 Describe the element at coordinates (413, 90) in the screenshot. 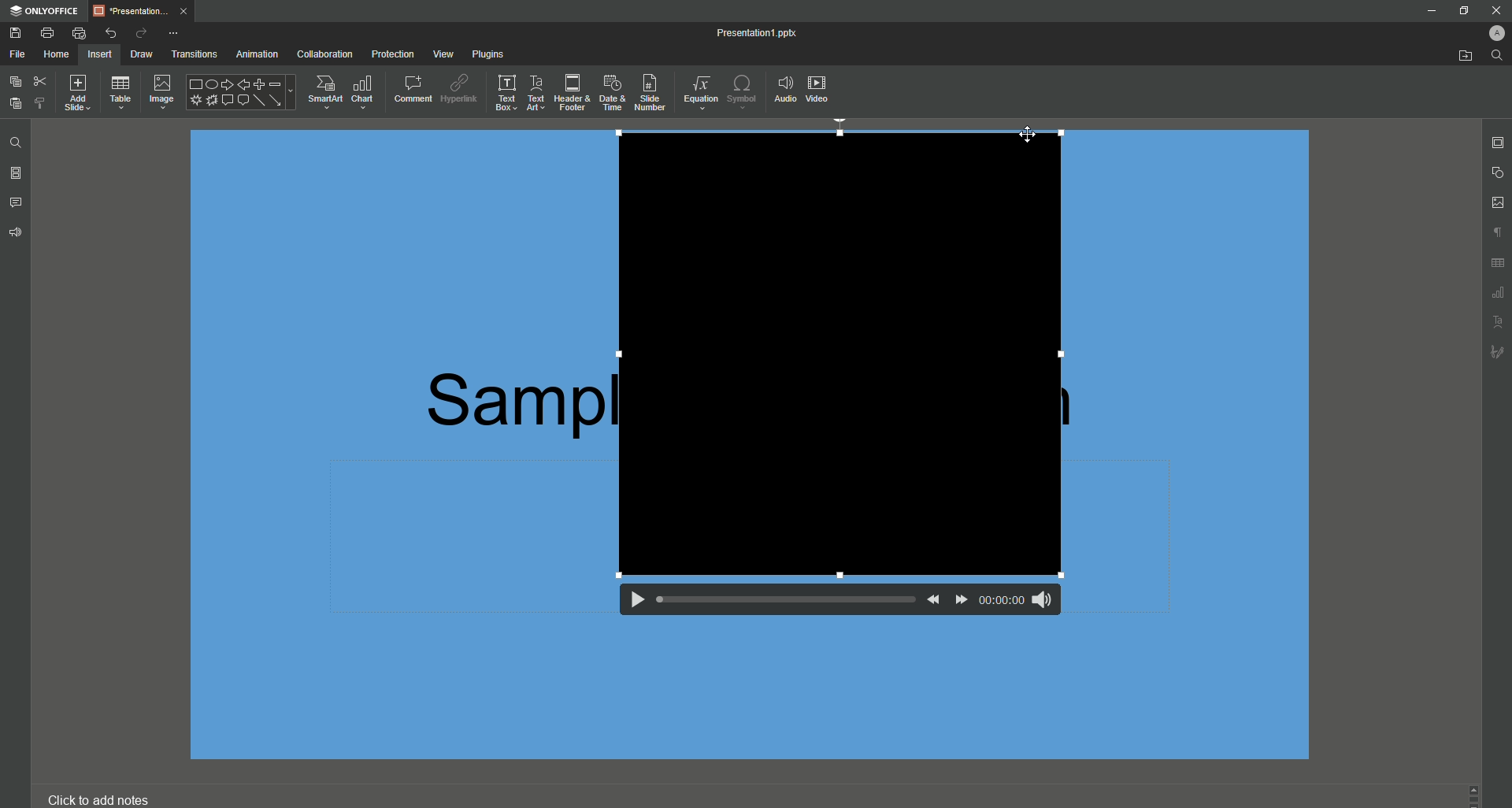

I see `Comment` at that location.